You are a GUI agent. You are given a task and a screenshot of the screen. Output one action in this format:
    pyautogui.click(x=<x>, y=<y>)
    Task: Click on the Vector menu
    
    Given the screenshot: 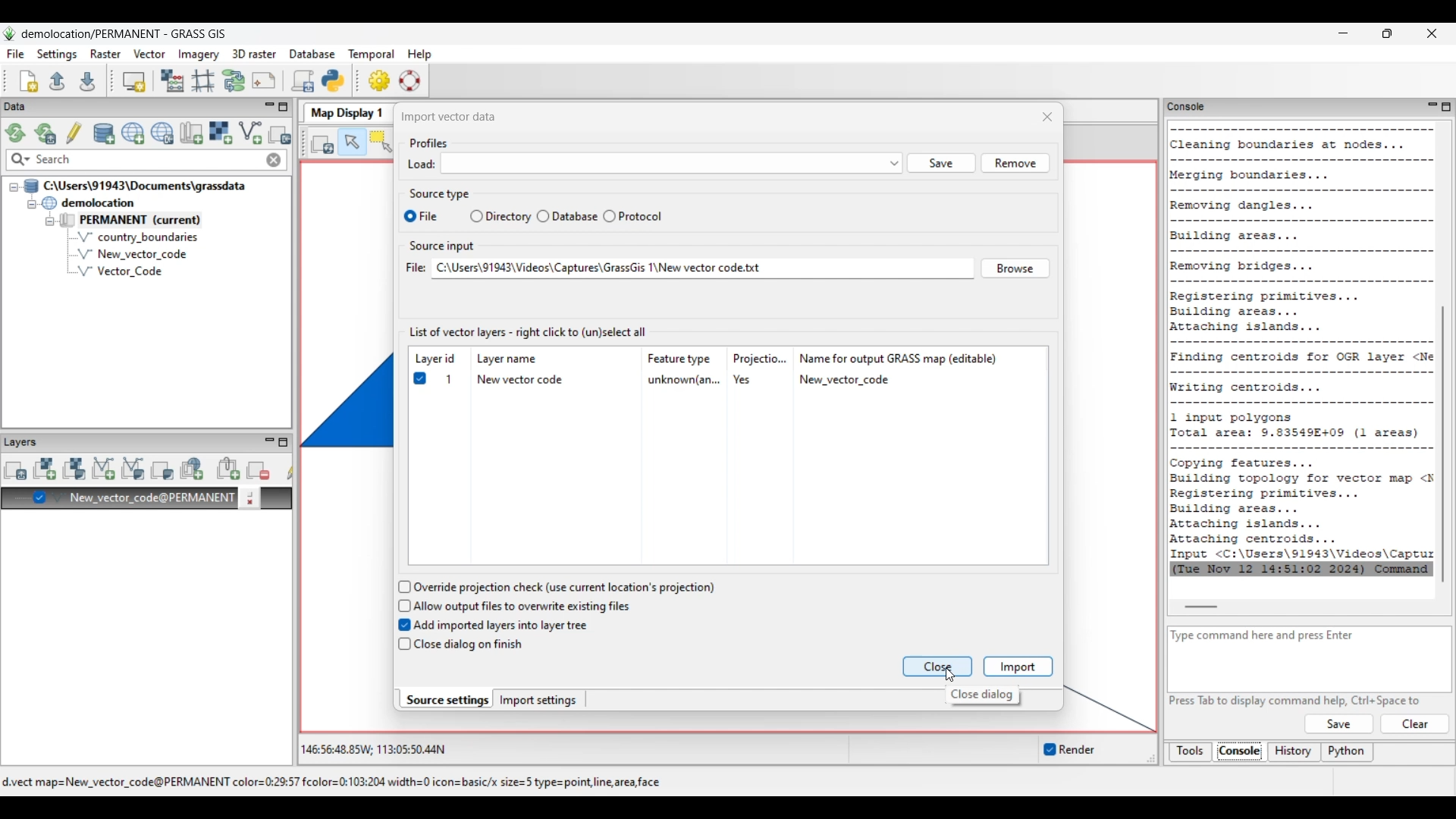 What is the action you would take?
    pyautogui.click(x=149, y=54)
    